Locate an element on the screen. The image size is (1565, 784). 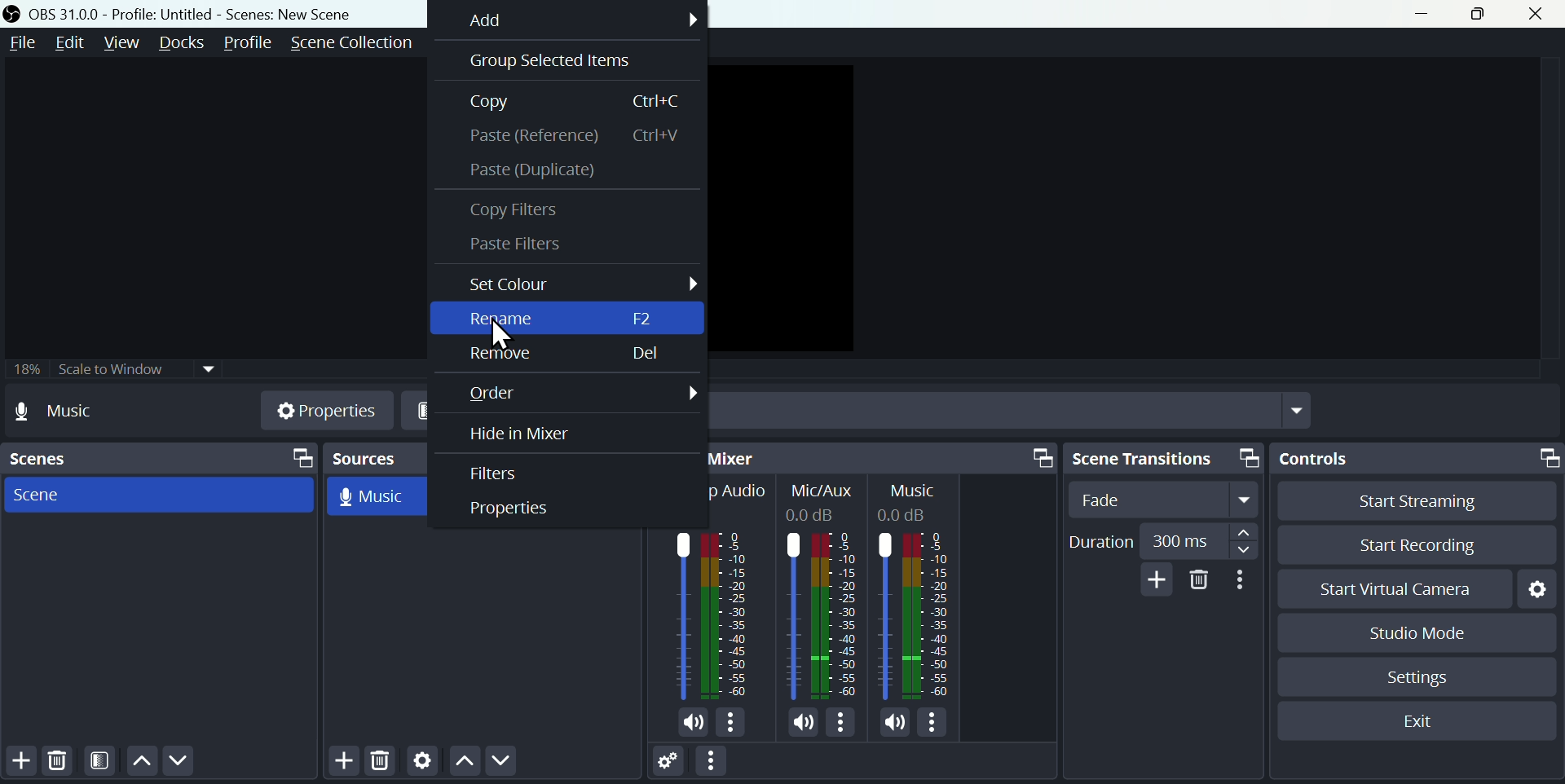
Filters is located at coordinates (490, 474).